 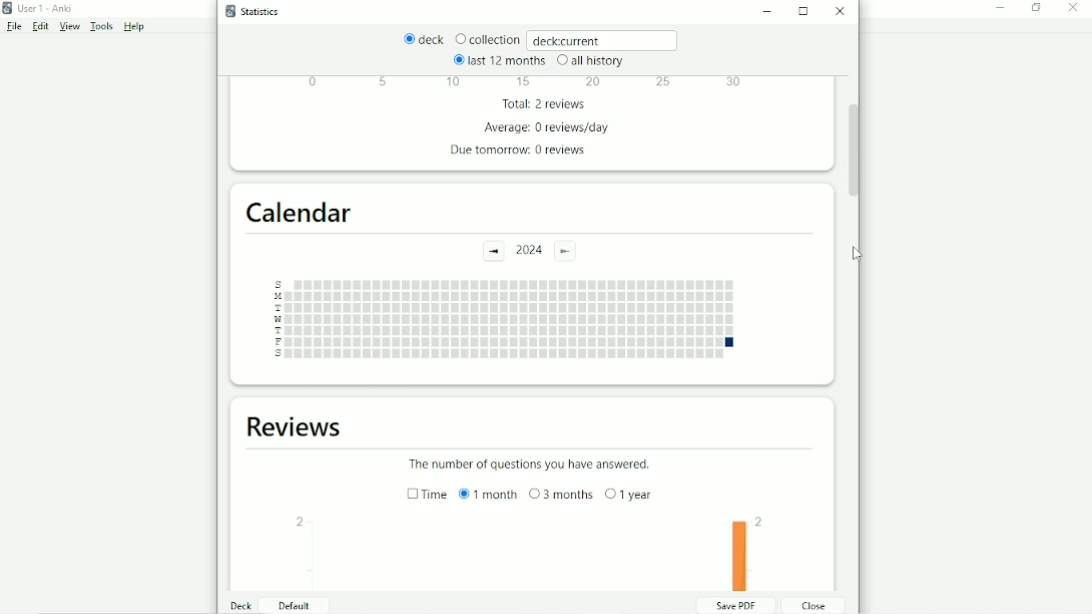 I want to click on 1 month, so click(x=488, y=495).